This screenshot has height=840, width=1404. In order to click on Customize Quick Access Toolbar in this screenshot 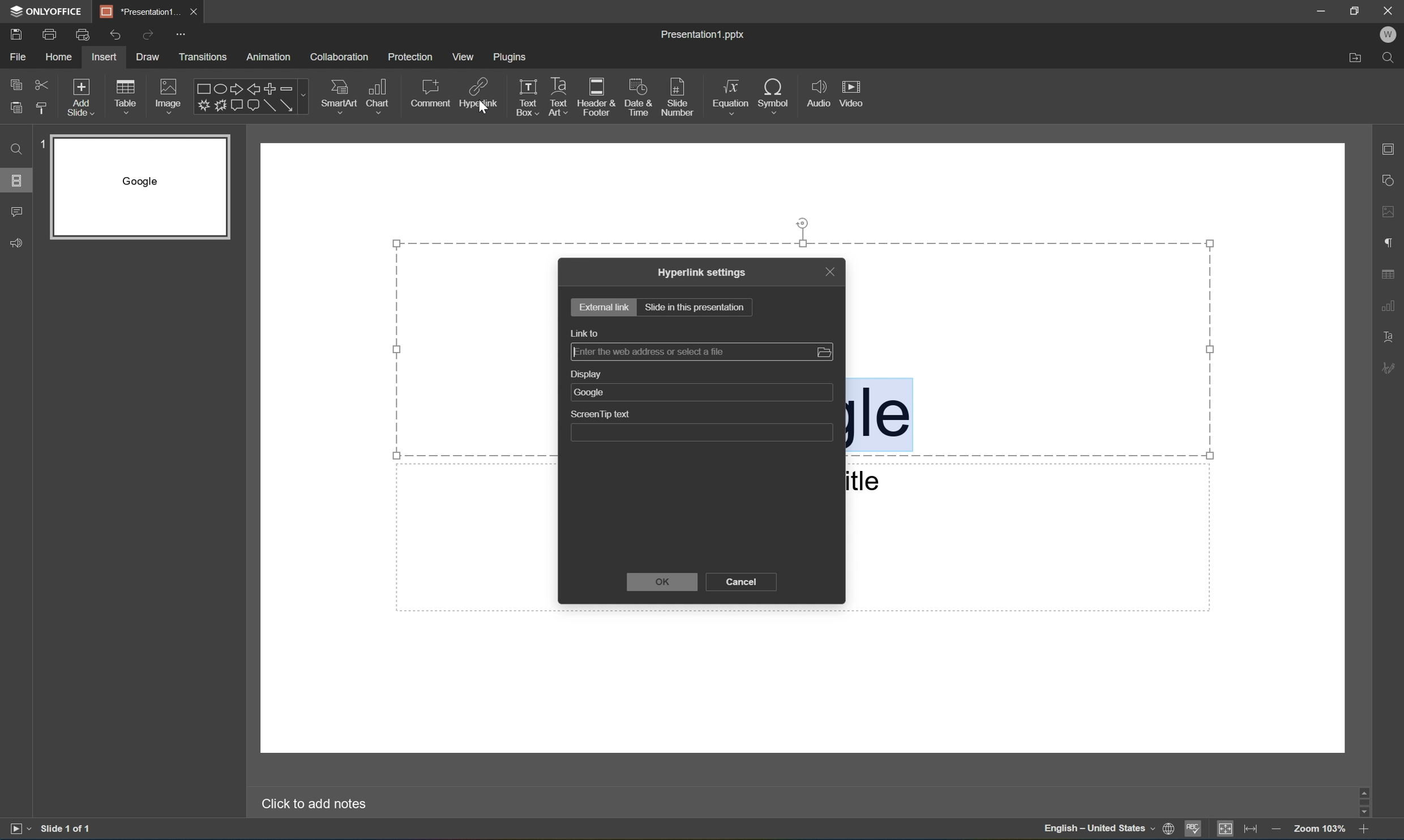, I will do `click(181, 35)`.